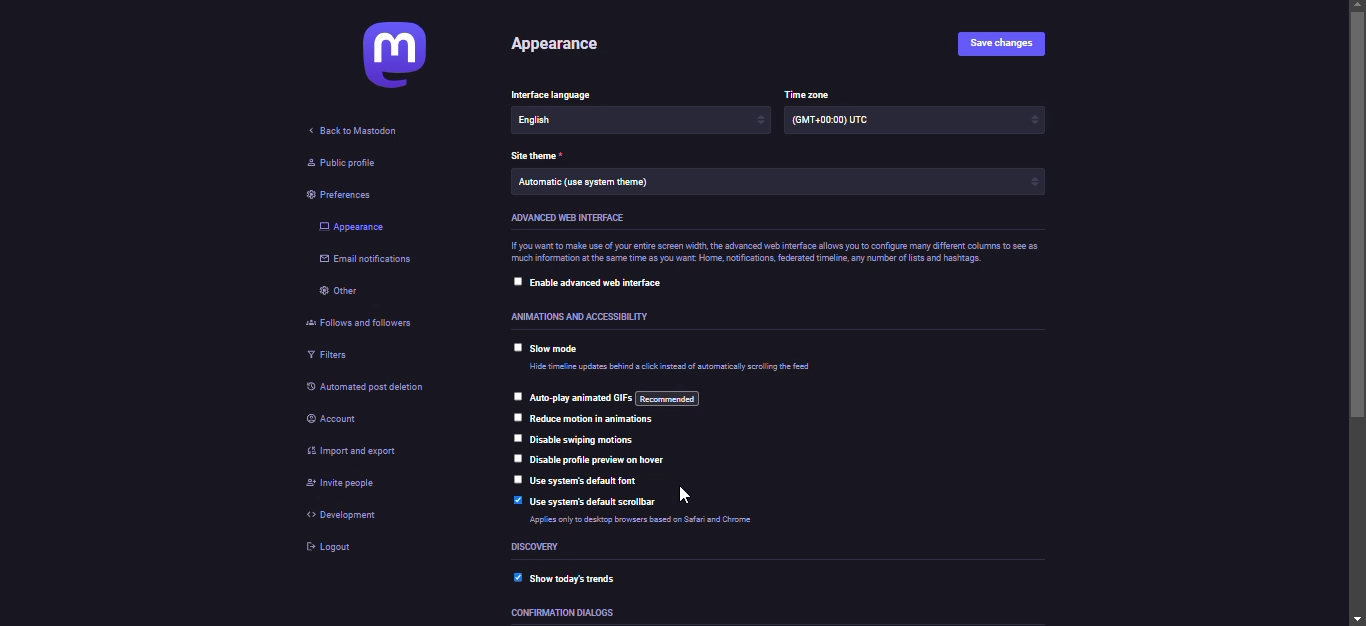 This screenshot has height=626, width=1366. What do you see at coordinates (608, 459) in the screenshot?
I see `disable profile preview on hover` at bounding box center [608, 459].